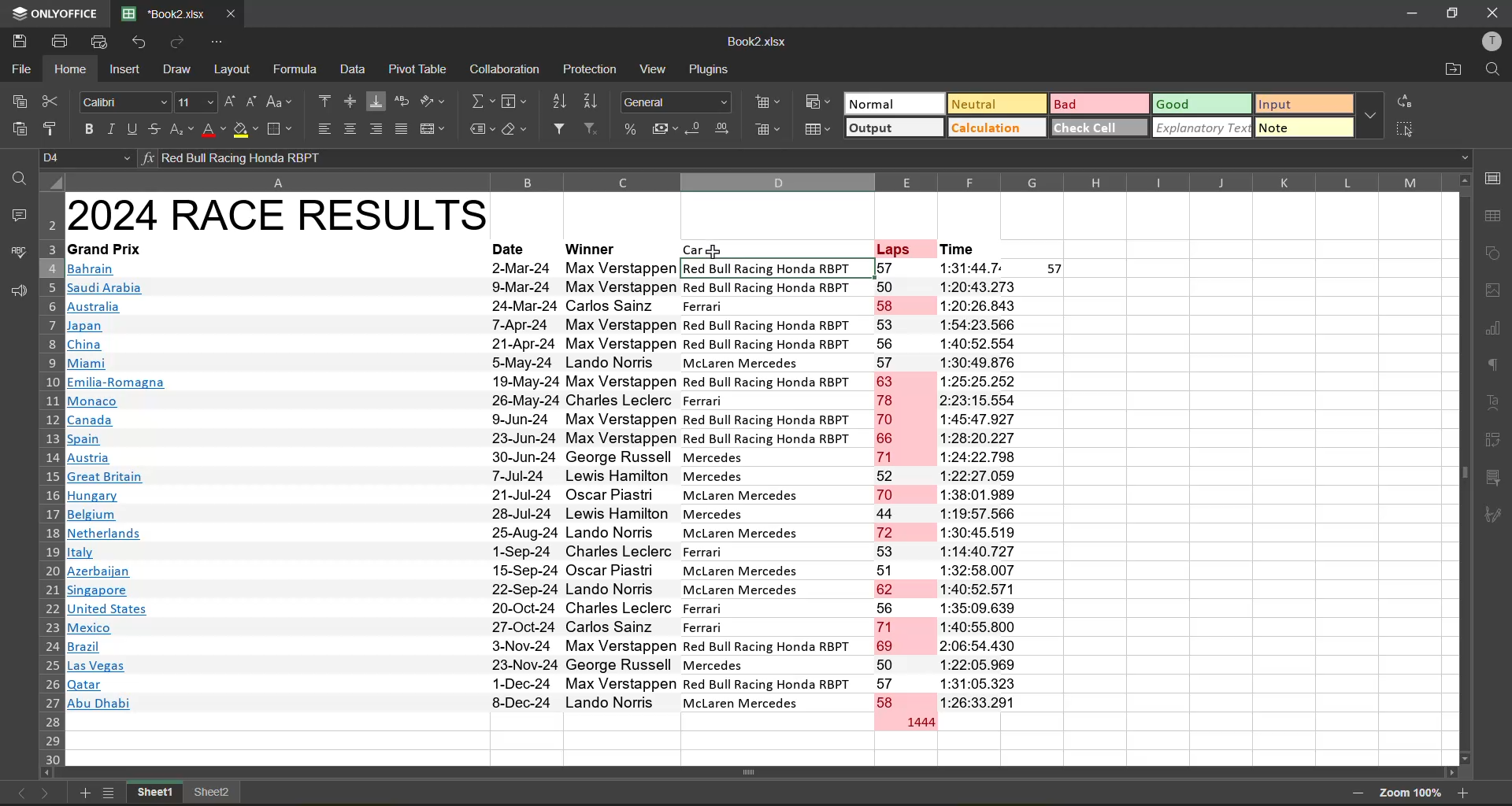  I want to click on summation, so click(480, 100).